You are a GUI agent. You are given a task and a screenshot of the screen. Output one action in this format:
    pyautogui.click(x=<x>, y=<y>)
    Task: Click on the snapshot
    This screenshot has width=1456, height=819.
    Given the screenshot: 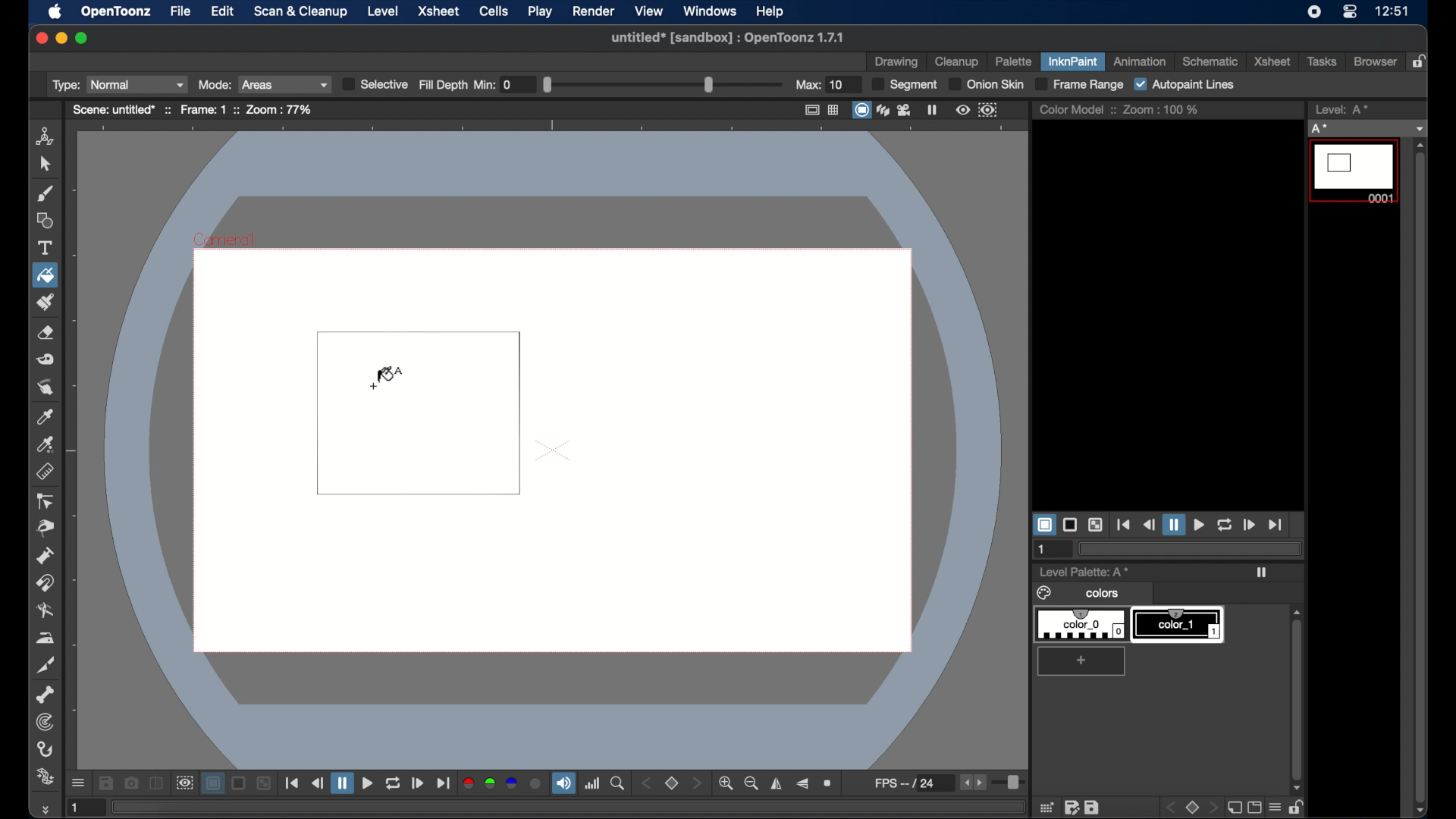 What is the action you would take?
    pyautogui.click(x=130, y=782)
    